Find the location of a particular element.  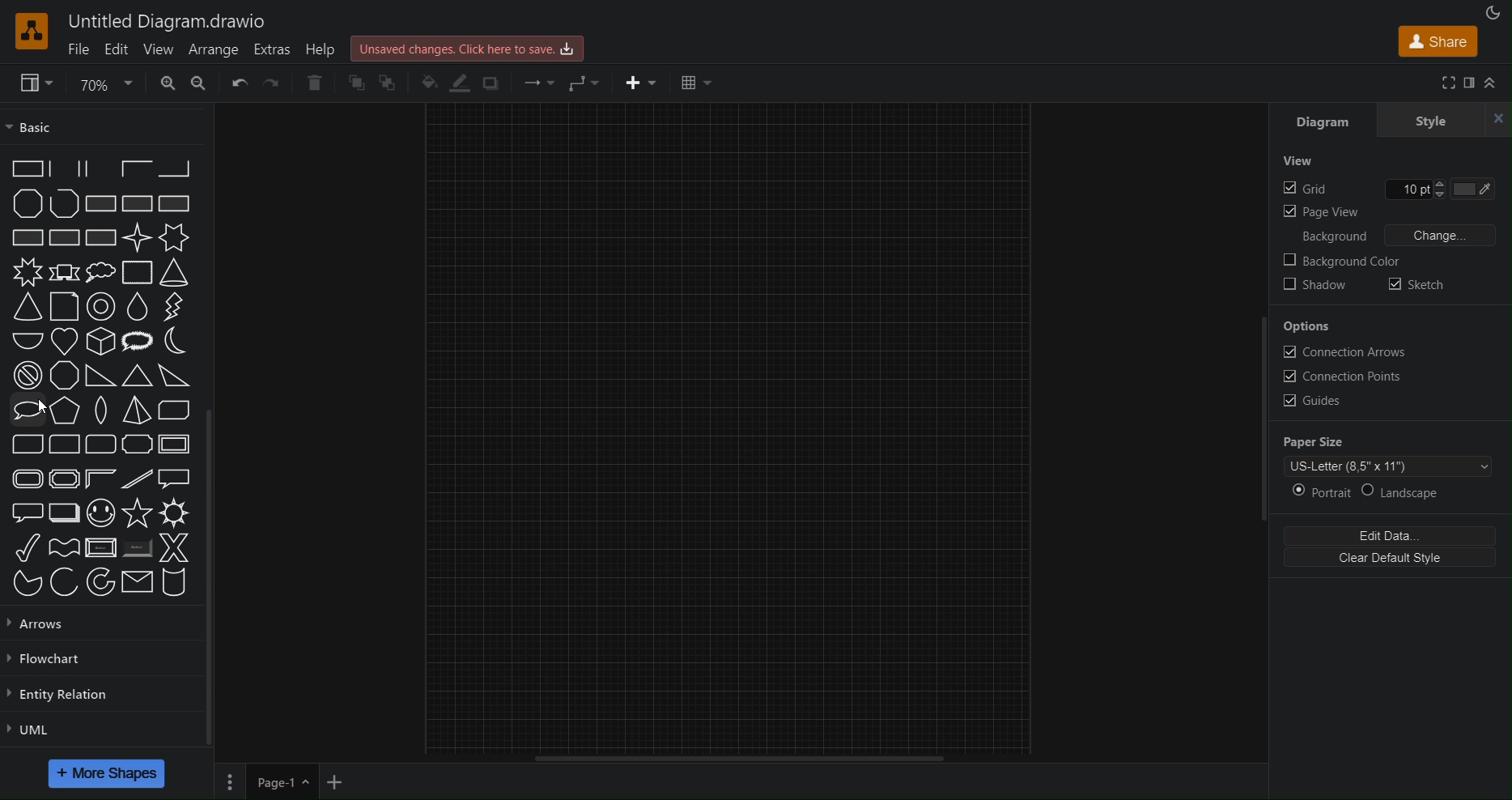

Arrows is located at coordinates (43, 624).